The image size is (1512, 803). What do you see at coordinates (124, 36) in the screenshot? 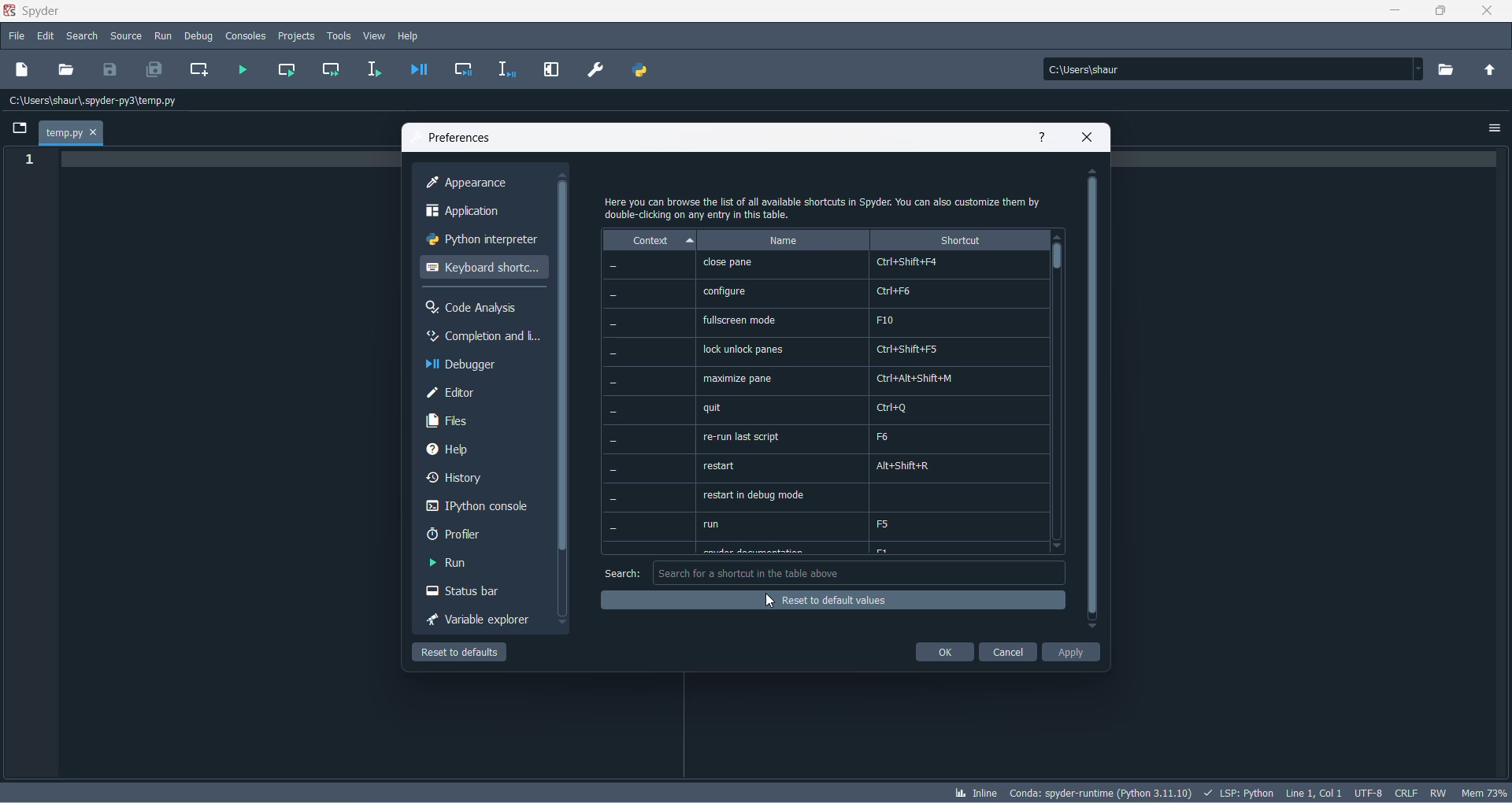
I see `source` at bounding box center [124, 36].